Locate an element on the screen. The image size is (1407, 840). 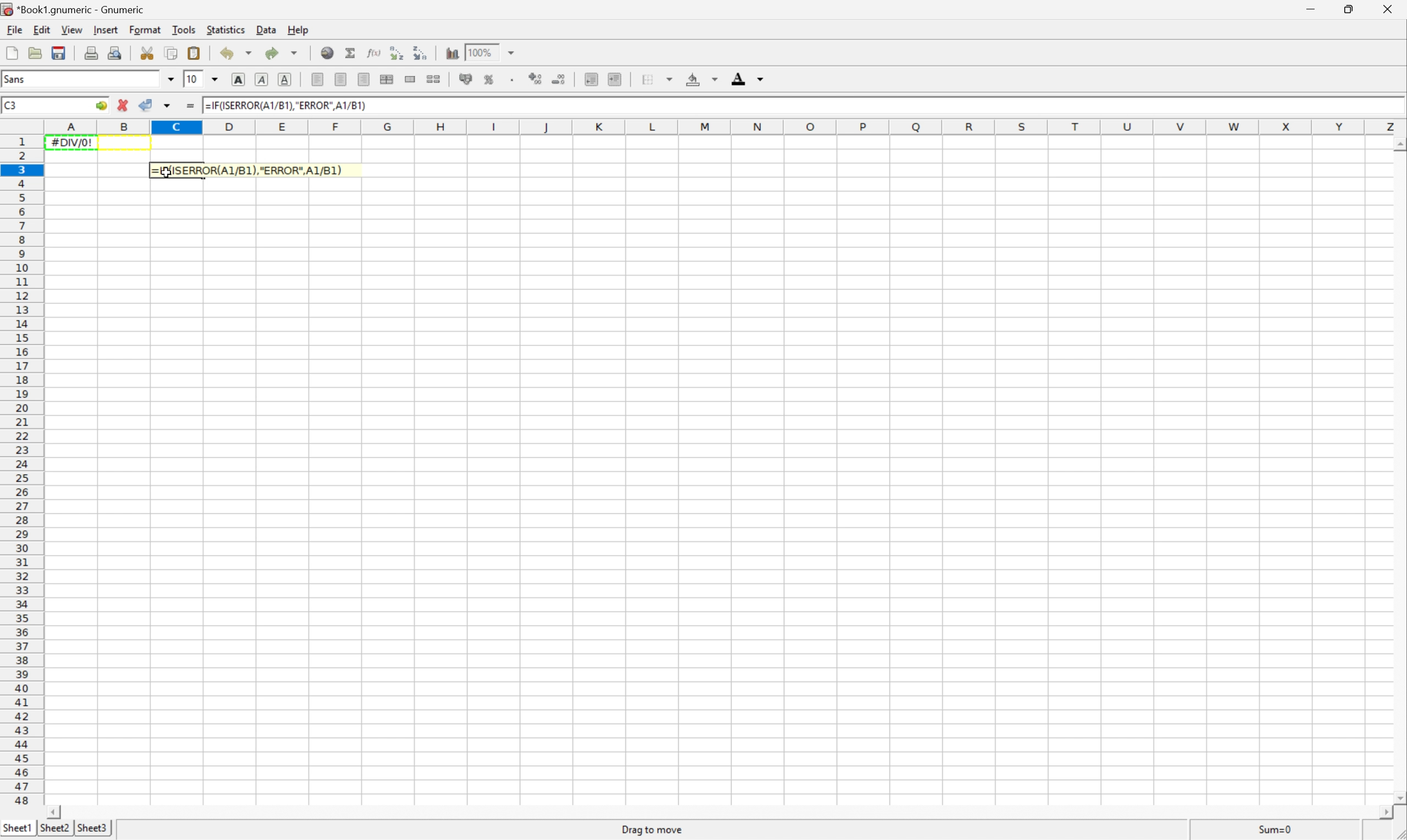
 Create new workbook is located at coordinates (11, 53).